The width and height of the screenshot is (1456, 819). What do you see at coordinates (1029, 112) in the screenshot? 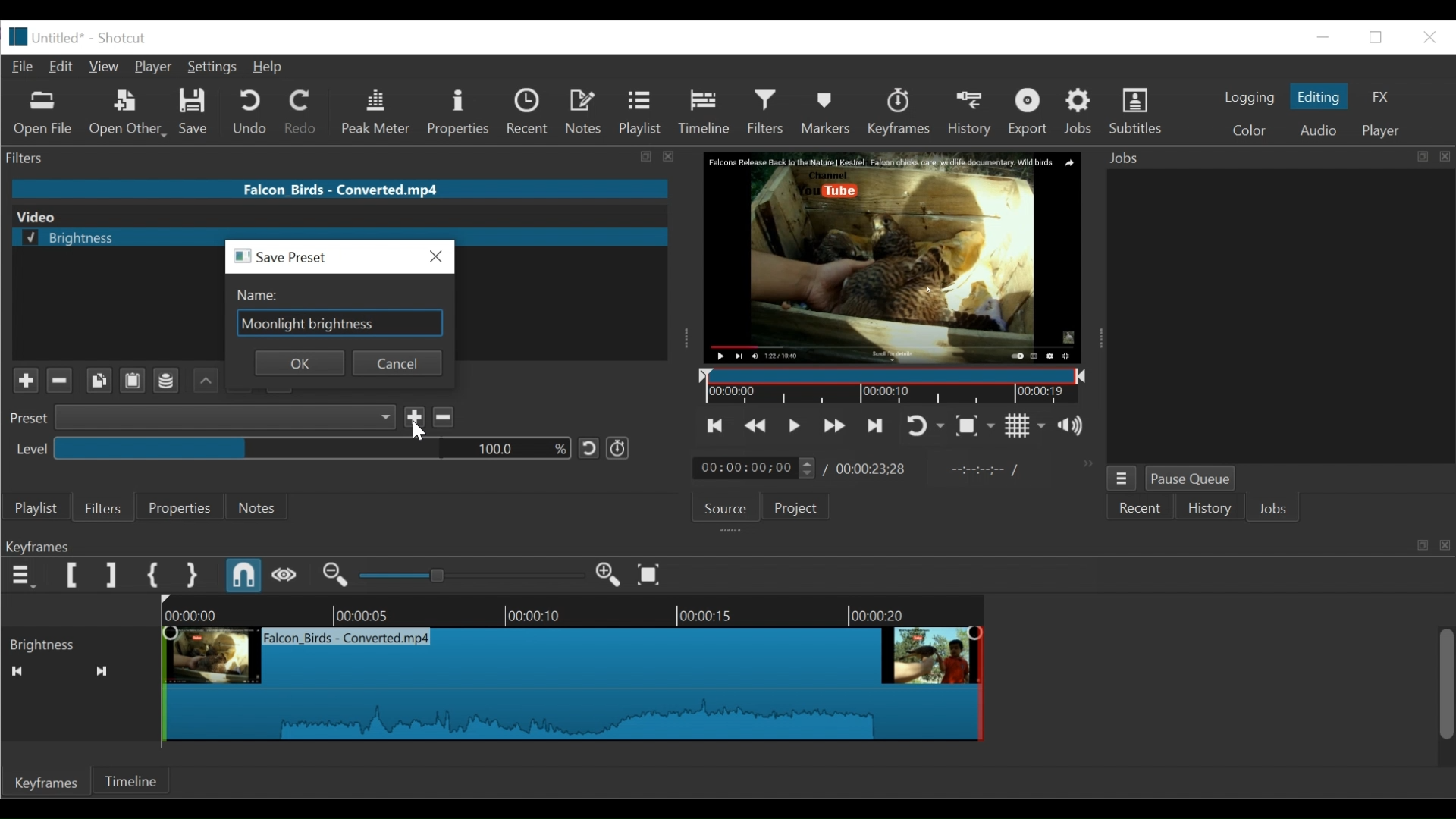
I see `Export` at bounding box center [1029, 112].